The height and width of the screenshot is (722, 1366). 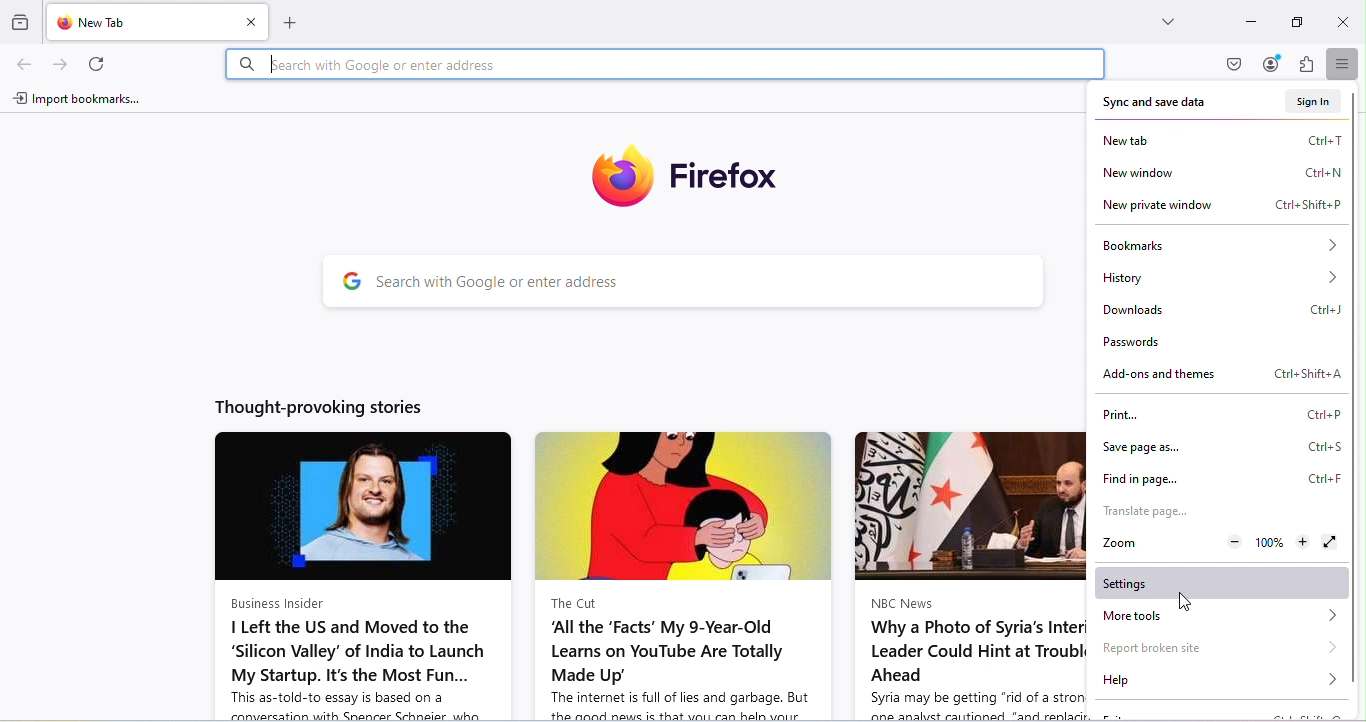 I want to click on Open a new tab, so click(x=299, y=25).